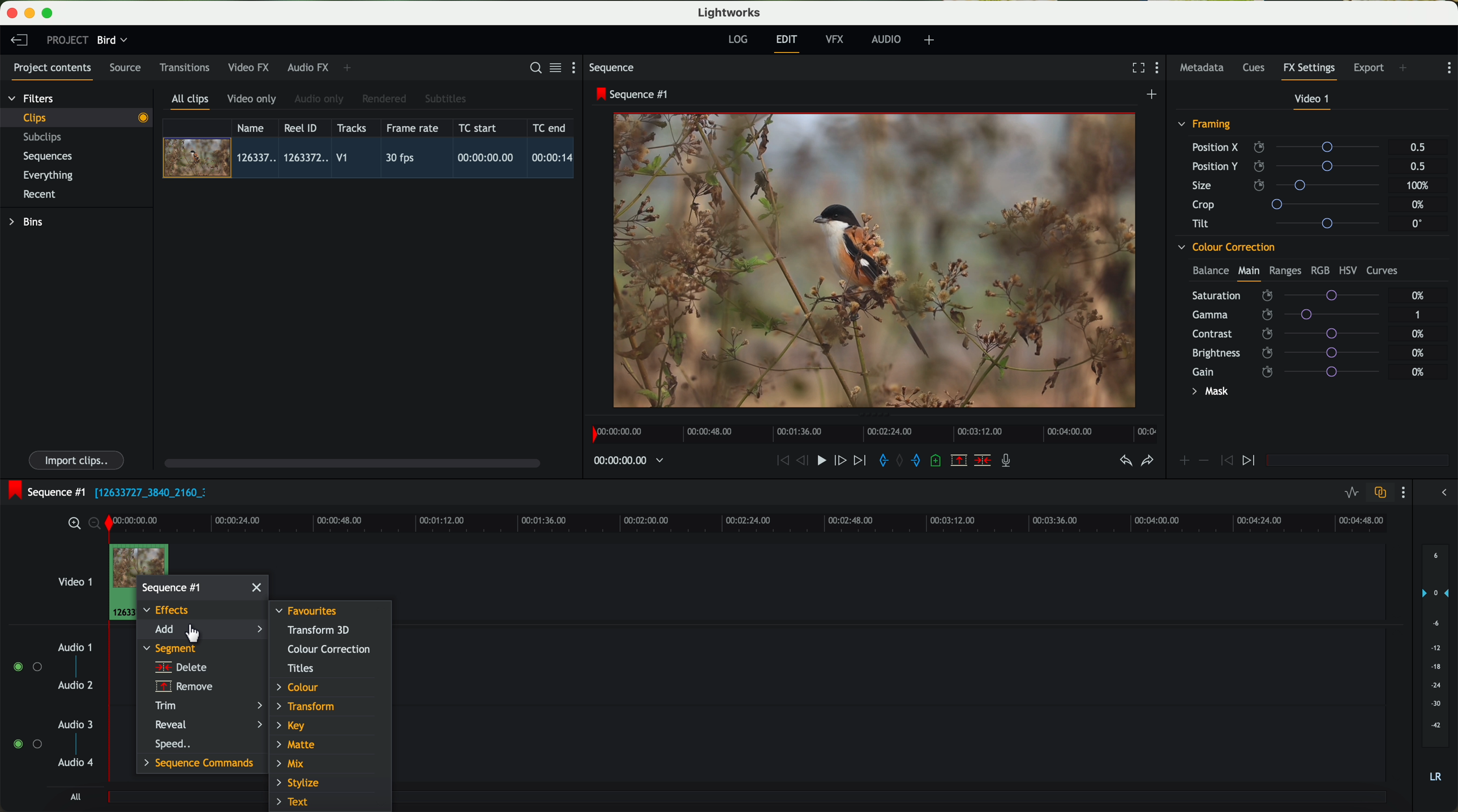 Image resolution: width=1458 pixels, height=812 pixels. What do you see at coordinates (1448, 68) in the screenshot?
I see `show settings menu` at bounding box center [1448, 68].